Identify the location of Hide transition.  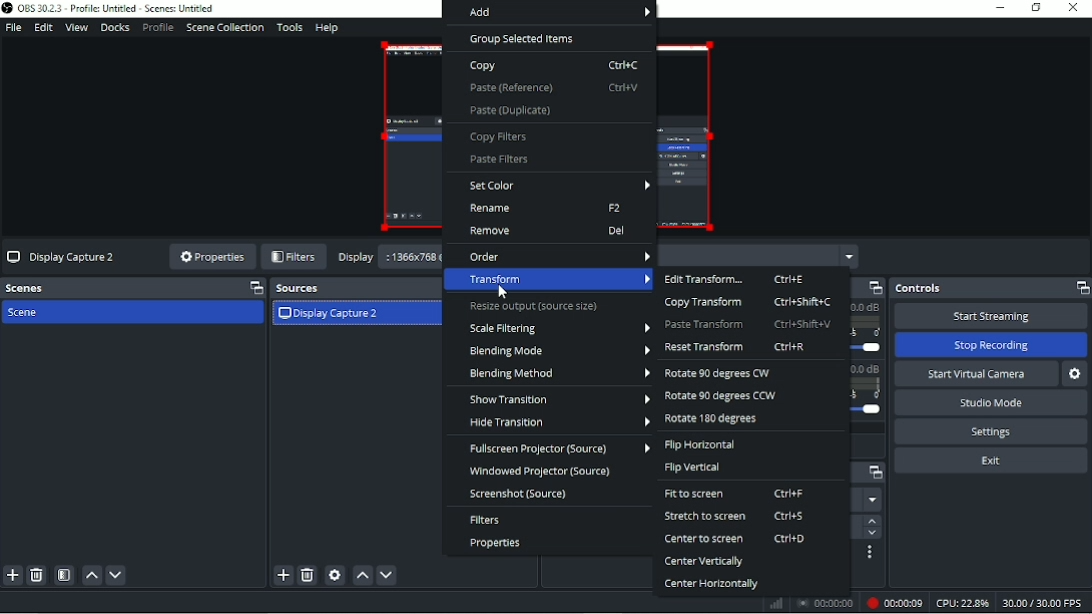
(558, 422).